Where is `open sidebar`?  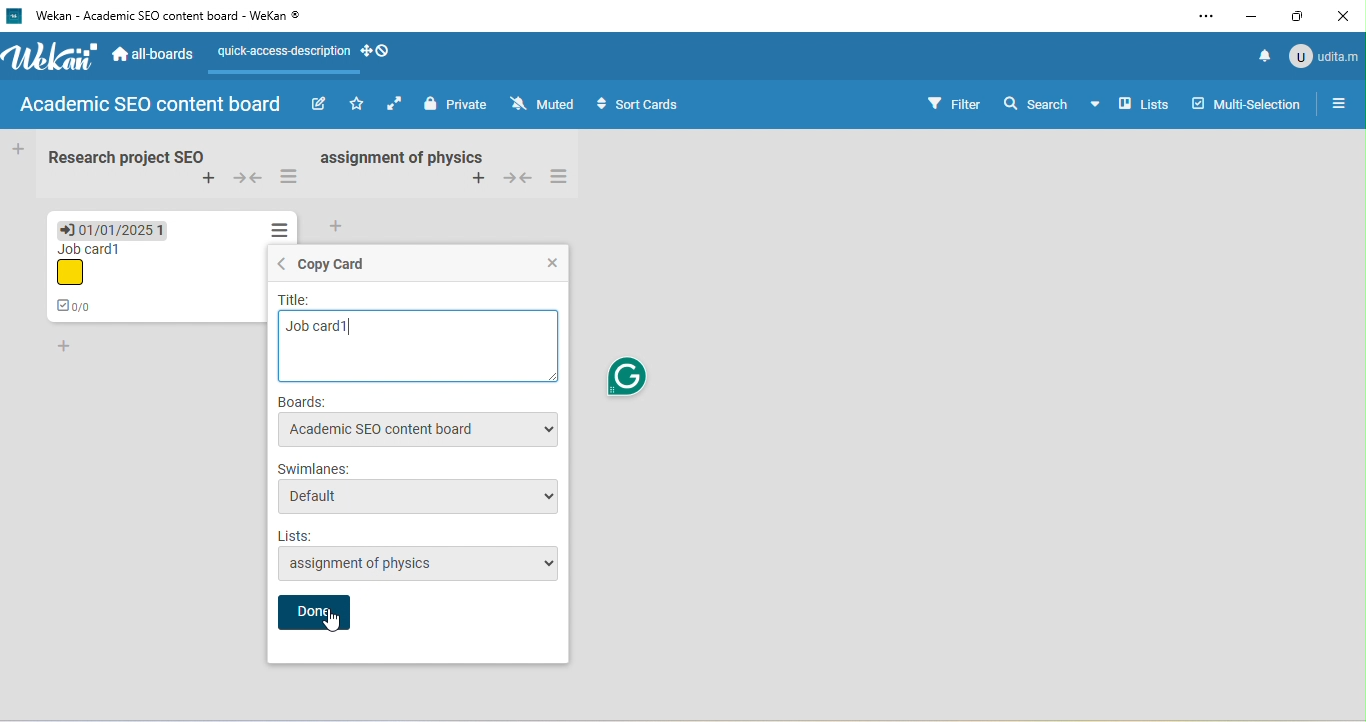 open sidebar is located at coordinates (1340, 105).